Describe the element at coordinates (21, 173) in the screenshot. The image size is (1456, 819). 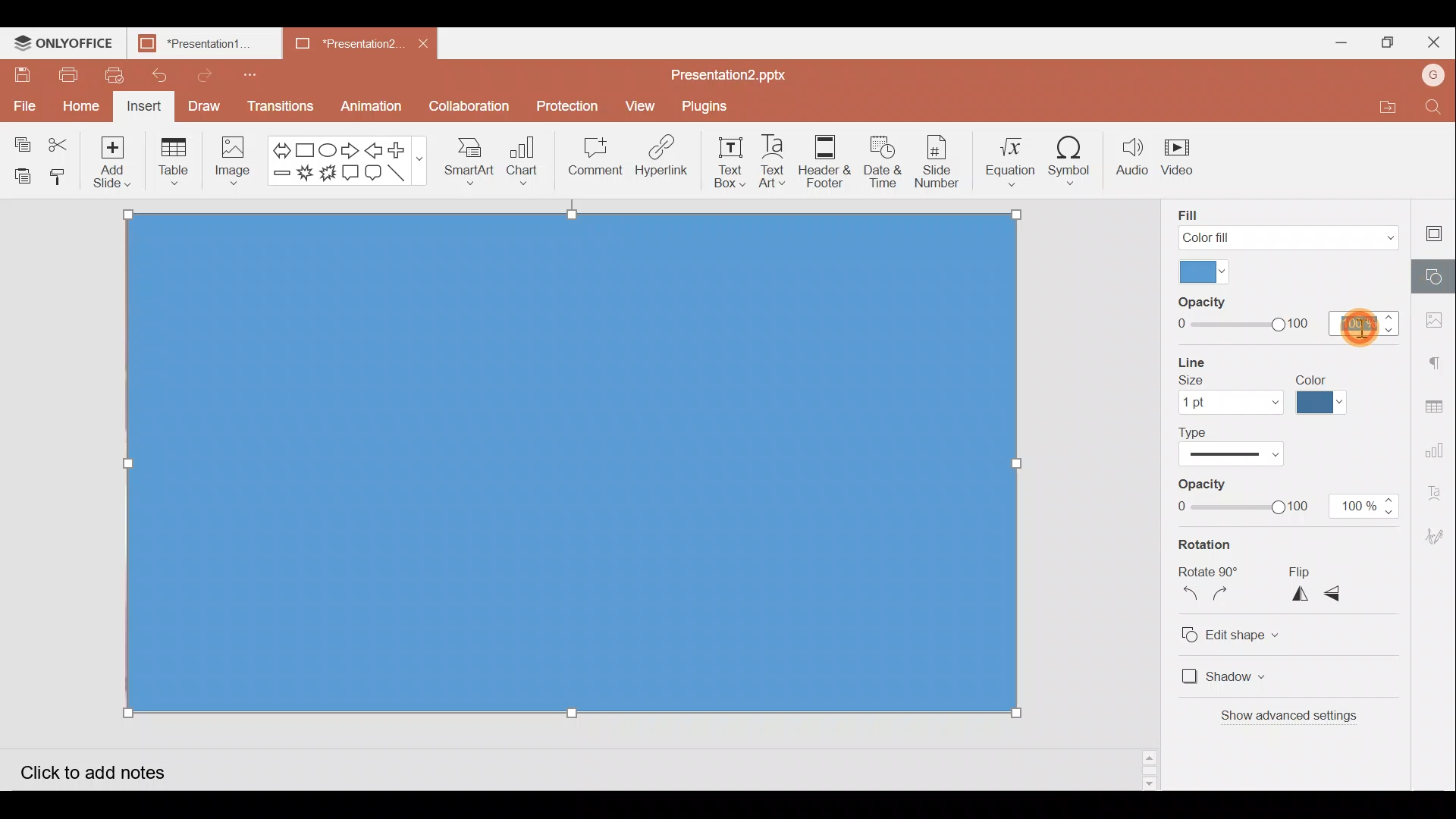
I see `Paste` at that location.